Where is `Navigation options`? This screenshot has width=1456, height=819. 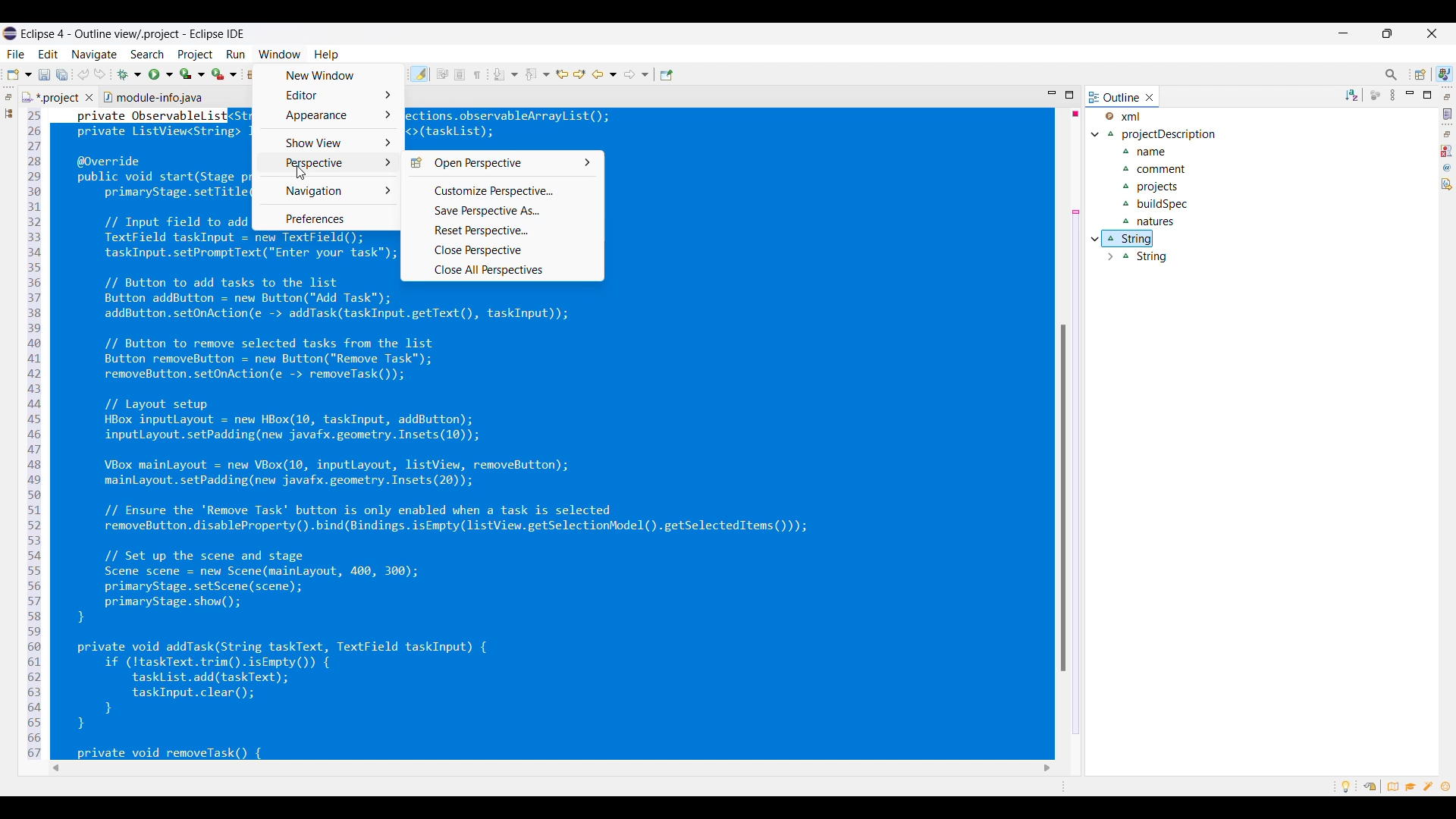
Navigation options is located at coordinates (330, 191).